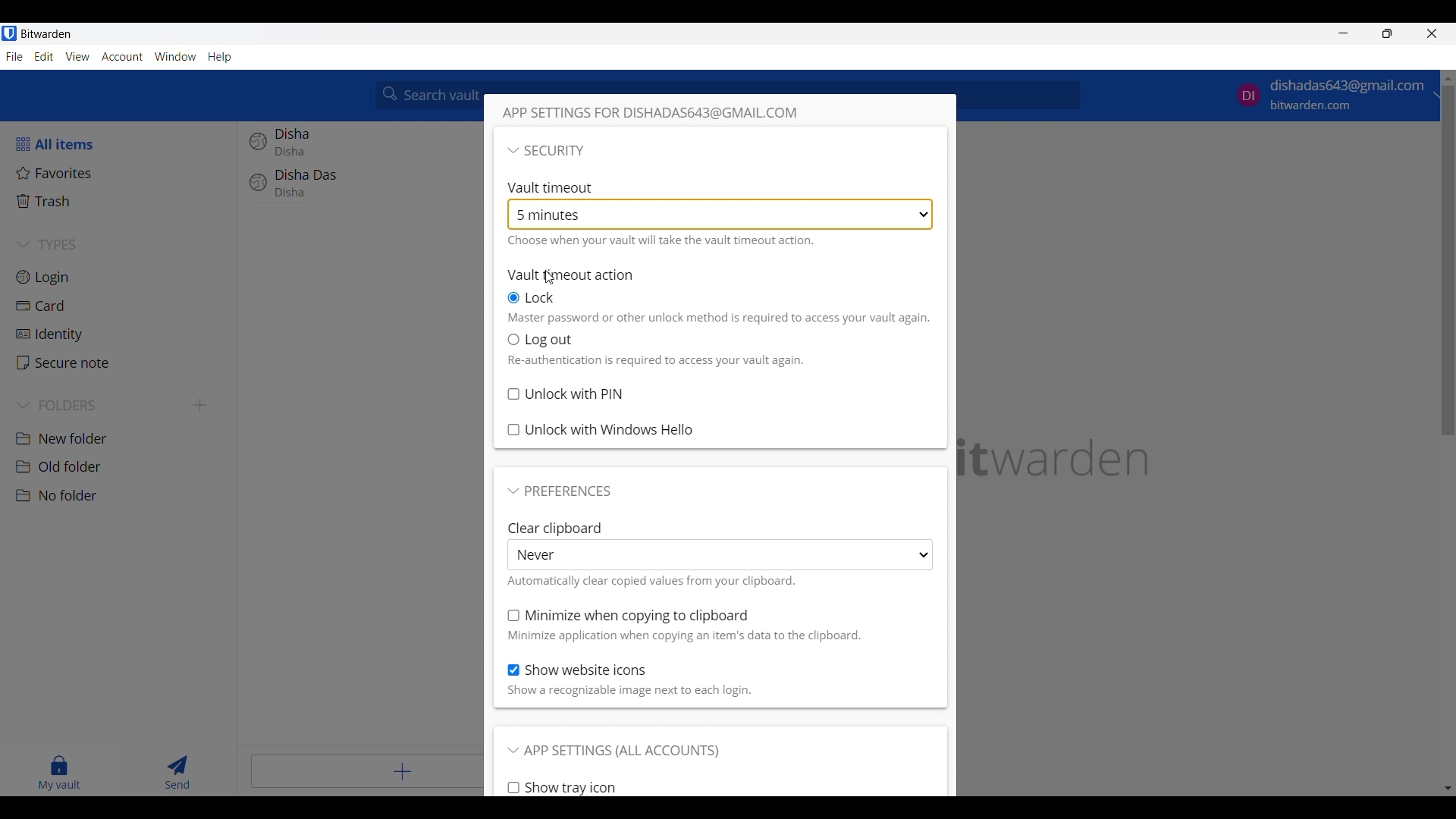 The width and height of the screenshot is (1456, 819). I want to click on File menu, so click(14, 57).